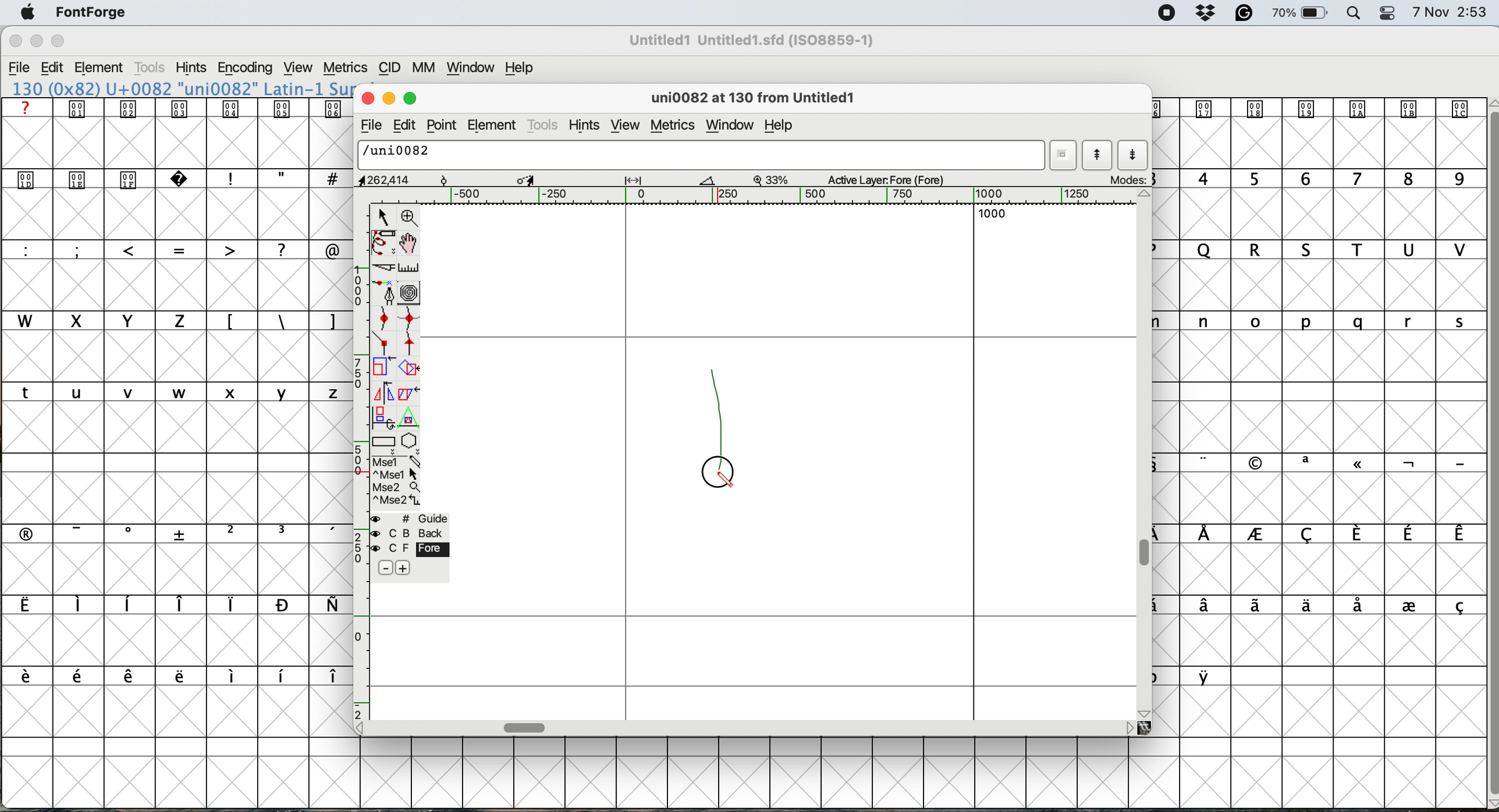  I want to click on add, so click(403, 567).